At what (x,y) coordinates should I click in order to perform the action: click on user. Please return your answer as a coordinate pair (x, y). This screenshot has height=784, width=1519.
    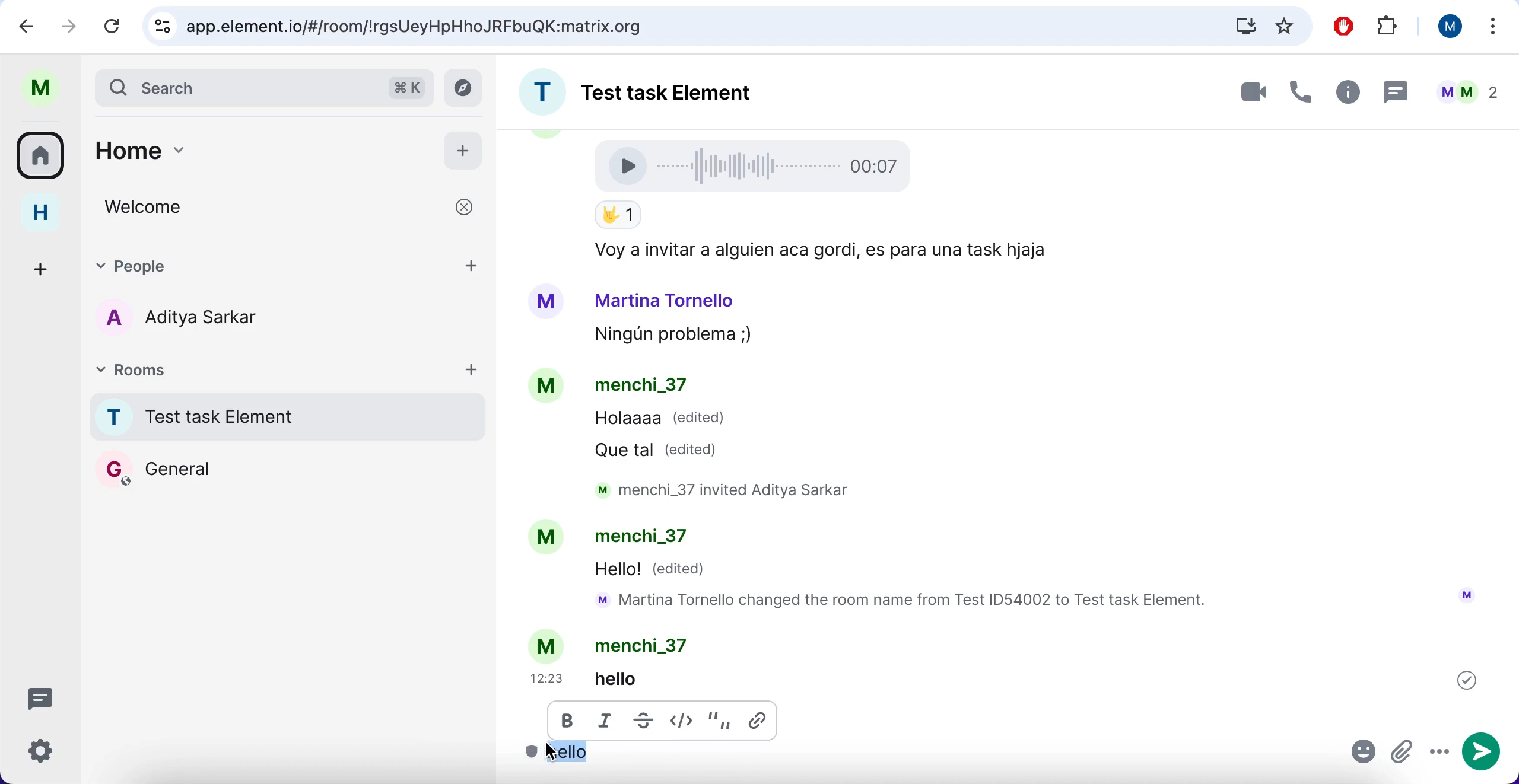
    Looking at the image, I should click on (1445, 26).